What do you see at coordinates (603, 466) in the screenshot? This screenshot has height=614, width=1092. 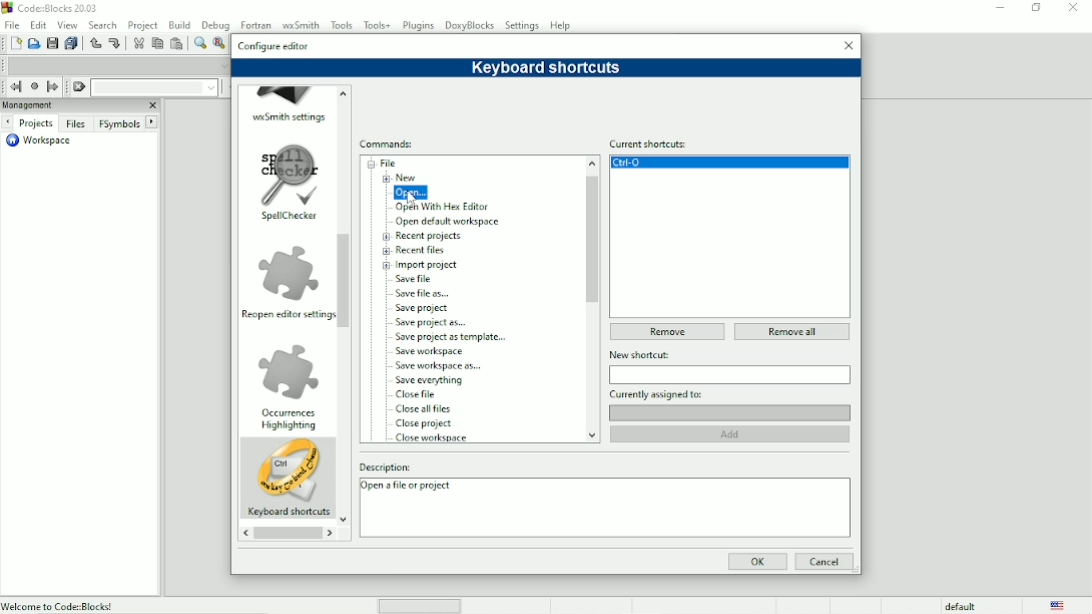 I see `Description` at bounding box center [603, 466].